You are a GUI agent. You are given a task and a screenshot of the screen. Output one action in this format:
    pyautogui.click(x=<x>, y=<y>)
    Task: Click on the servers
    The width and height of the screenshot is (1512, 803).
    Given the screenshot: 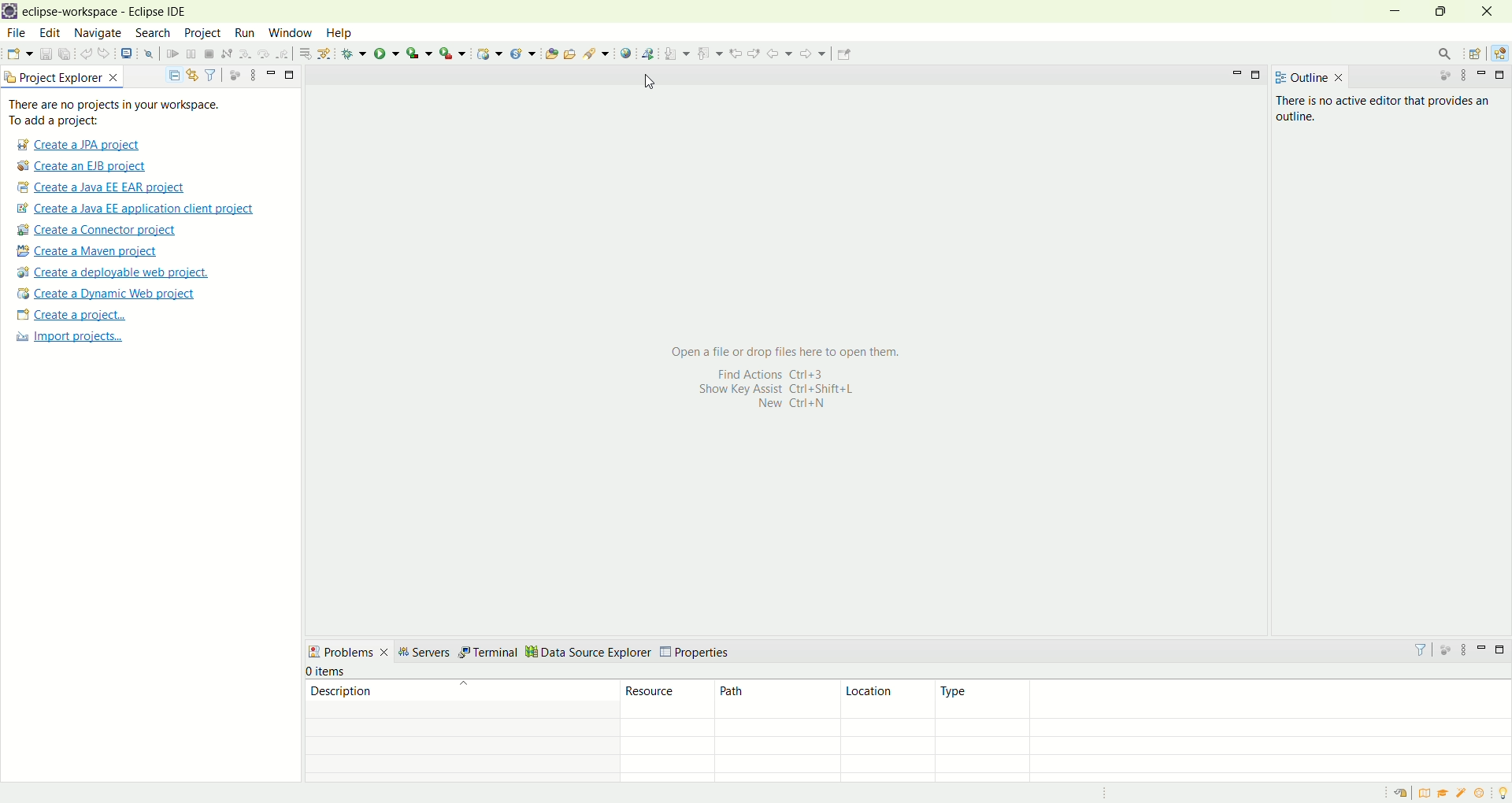 What is the action you would take?
    pyautogui.click(x=424, y=654)
    